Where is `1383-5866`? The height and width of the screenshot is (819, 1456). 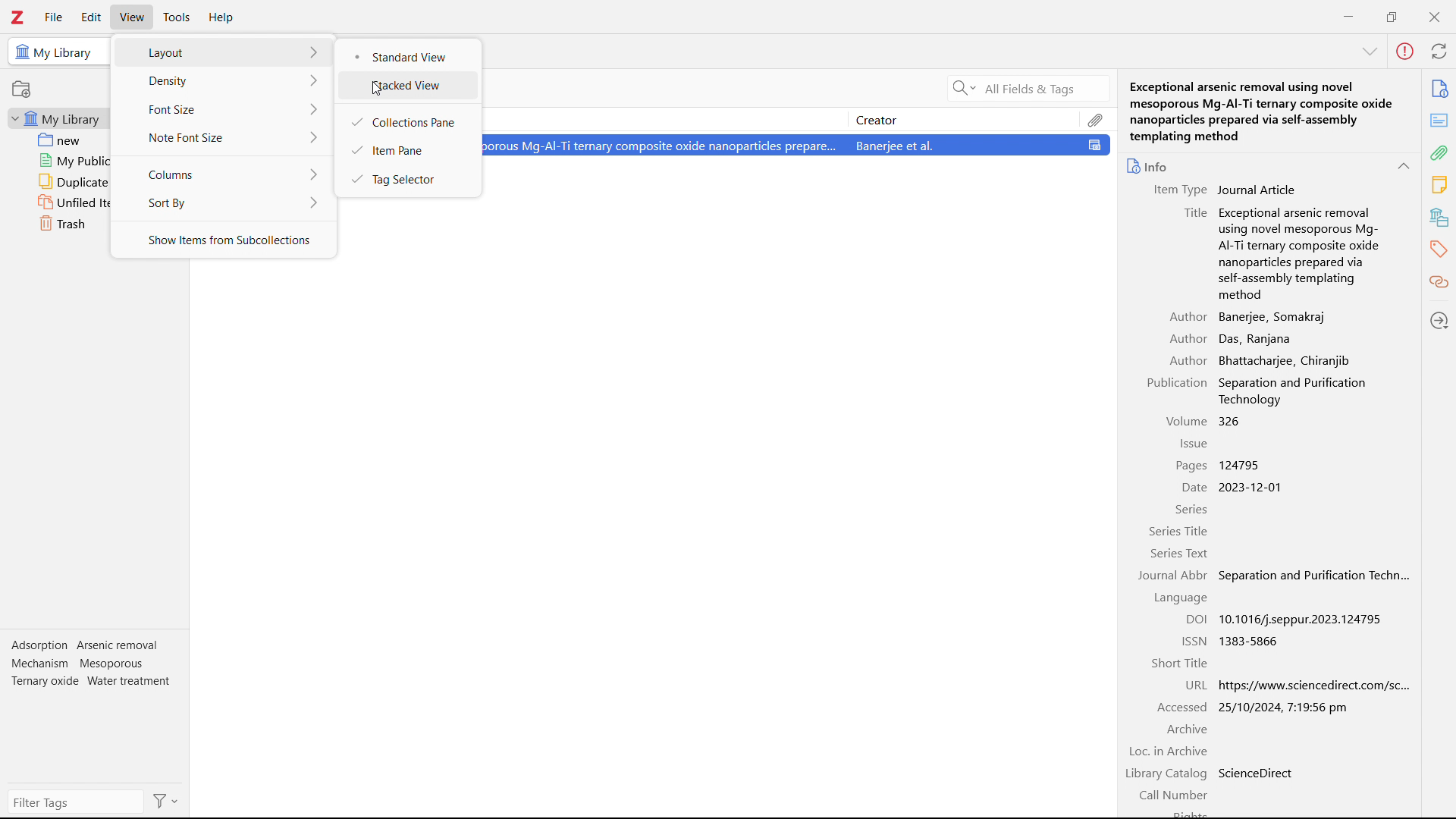
1383-5866 is located at coordinates (1254, 642).